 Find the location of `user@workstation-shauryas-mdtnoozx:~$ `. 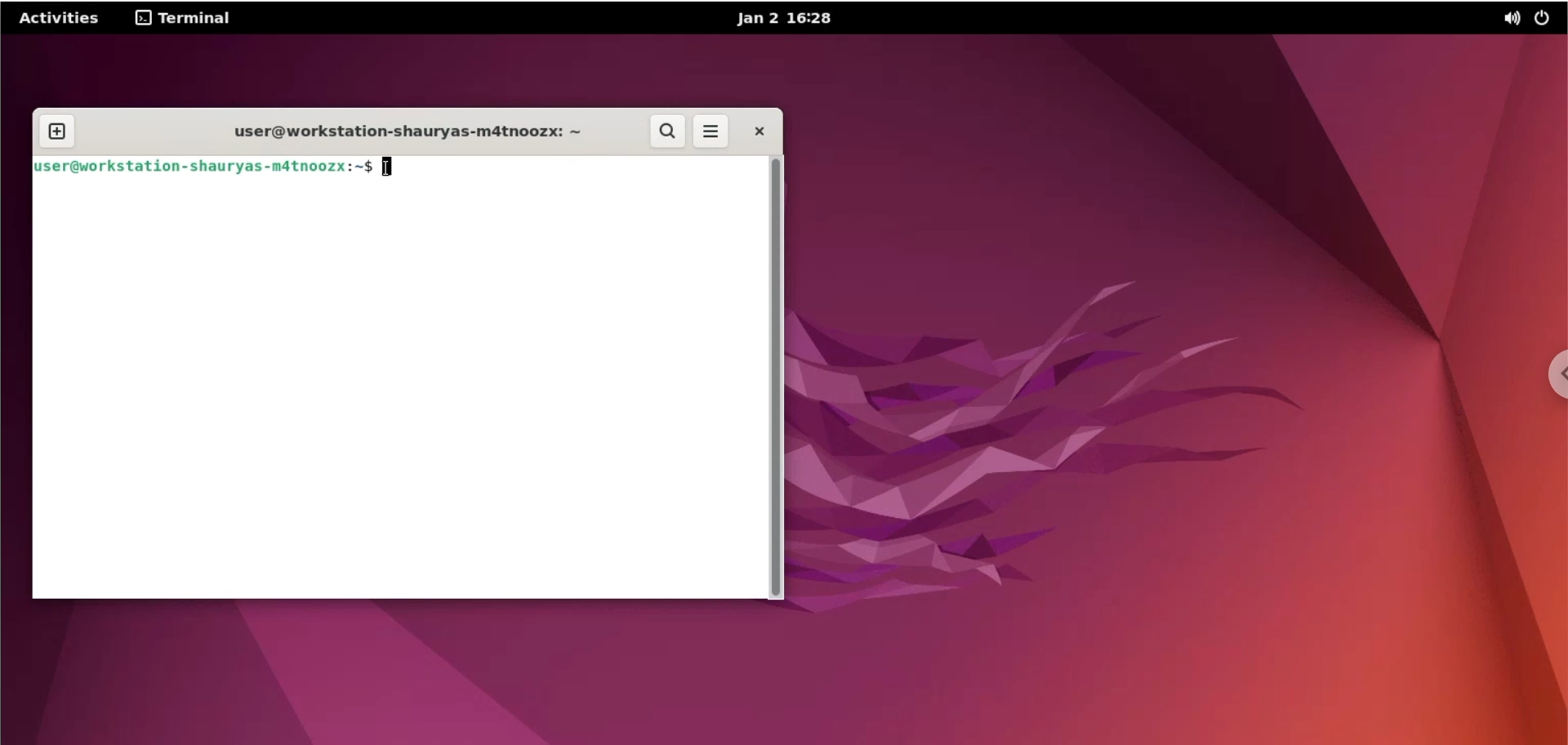

user@workstation-shauryas-mdtnoozx:~$  is located at coordinates (204, 168).